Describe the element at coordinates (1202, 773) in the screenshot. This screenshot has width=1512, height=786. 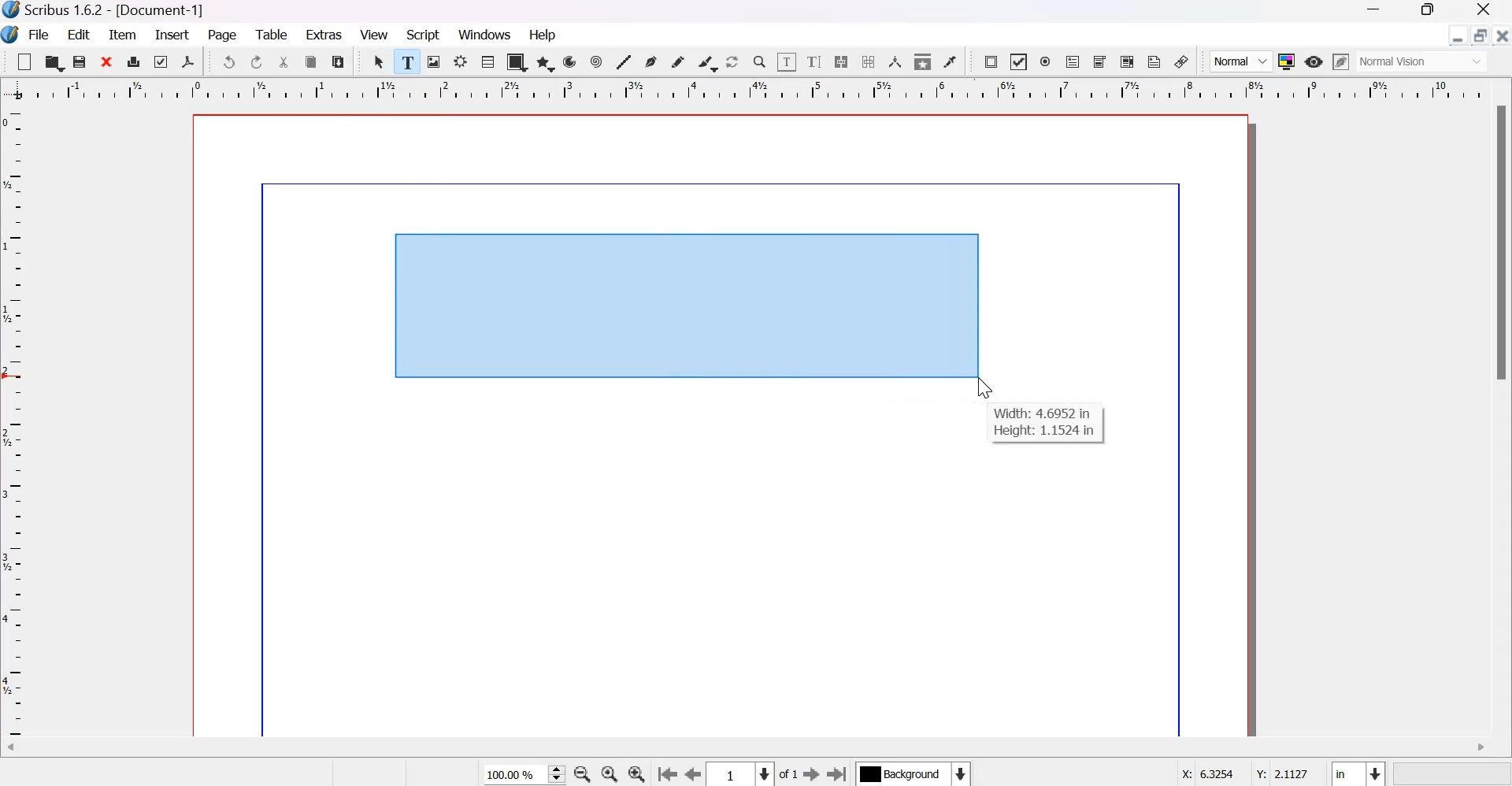
I see `X: 6.3254` at that location.